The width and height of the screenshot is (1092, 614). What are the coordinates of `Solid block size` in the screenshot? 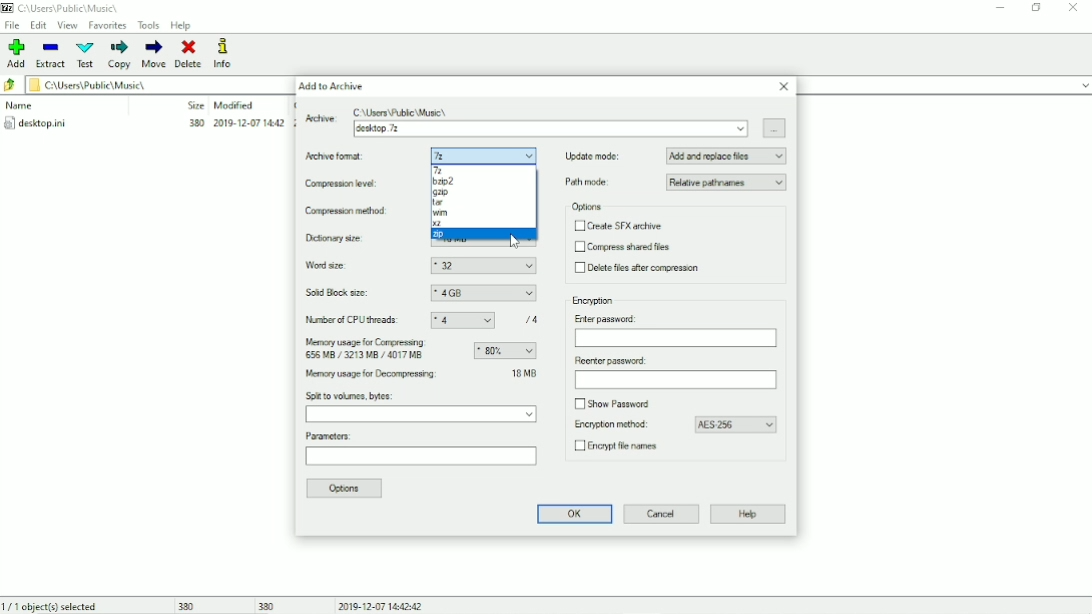 It's located at (421, 293).